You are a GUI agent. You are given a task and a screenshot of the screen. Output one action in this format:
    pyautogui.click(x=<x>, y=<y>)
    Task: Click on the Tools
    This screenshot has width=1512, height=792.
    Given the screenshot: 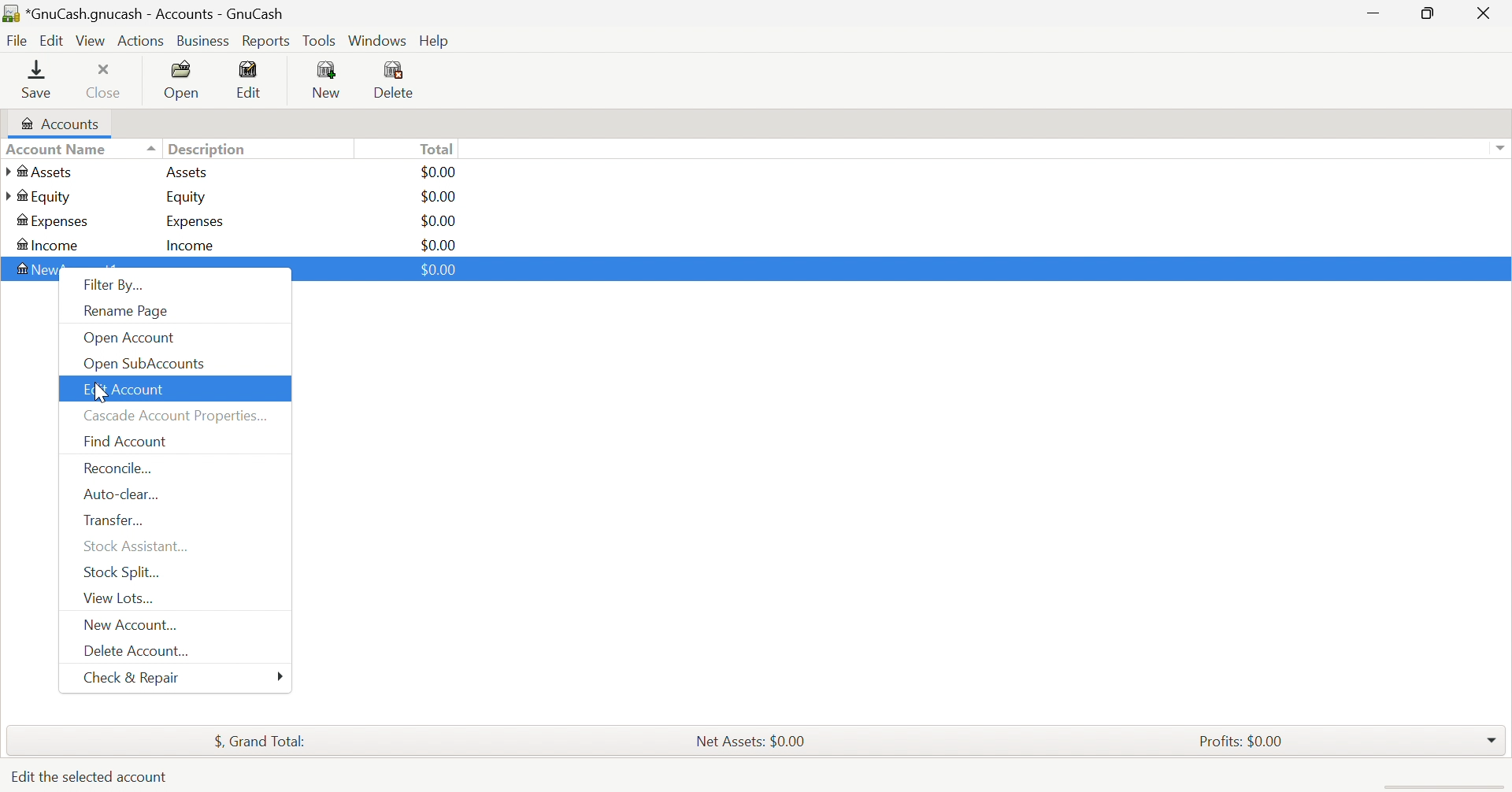 What is the action you would take?
    pyautogui.click(x=321, y=39)
    